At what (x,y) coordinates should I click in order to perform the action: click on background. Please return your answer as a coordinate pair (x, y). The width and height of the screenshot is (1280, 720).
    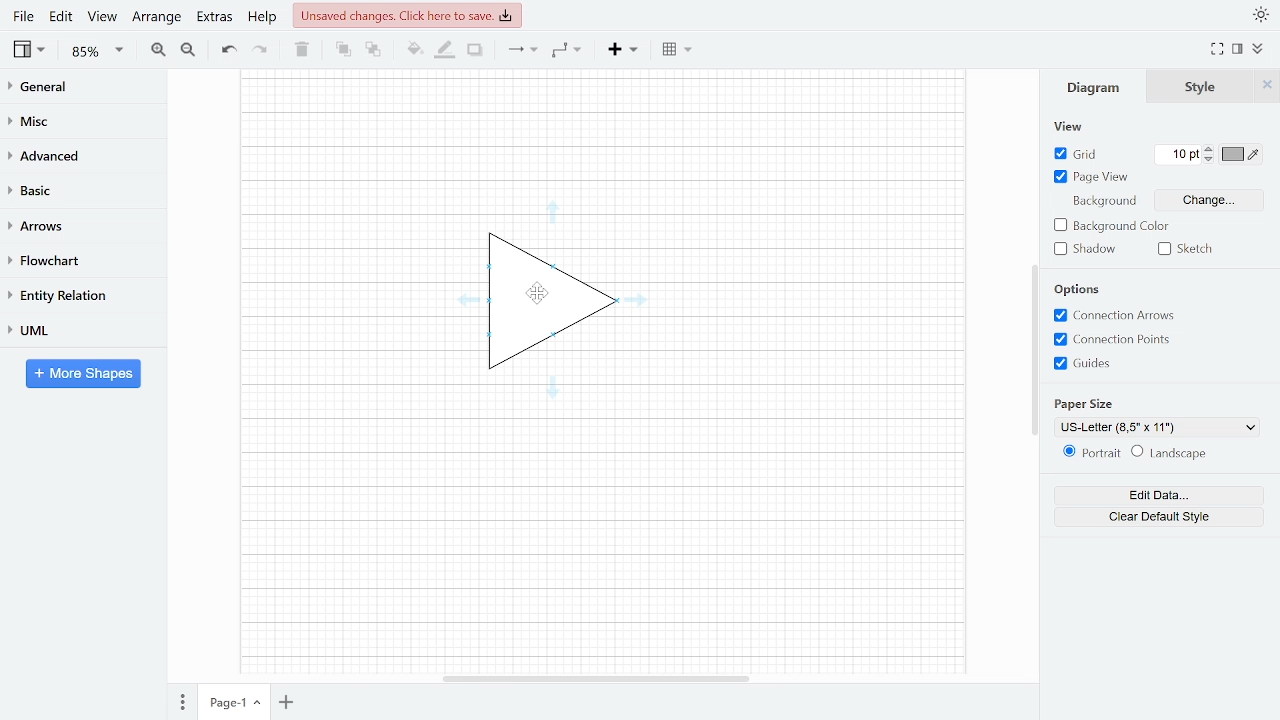
    Looking at the image, I should click on (1104, 201).